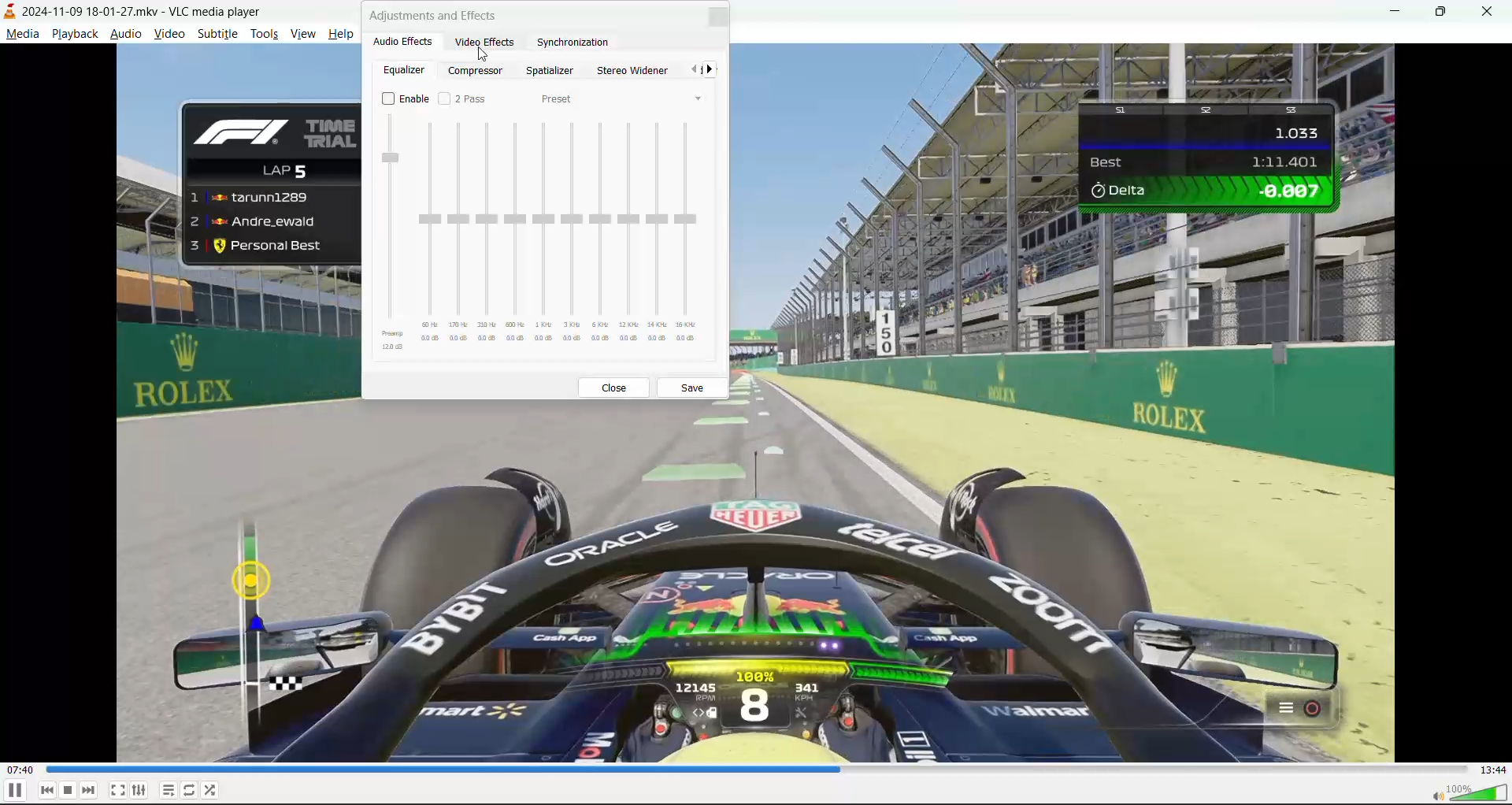 The width and height of the screenshot is (1512, 805). What do you see at coordinates (1444, 14) in the screenshot?
I see `maximize` at bounding box center [1444, 14].